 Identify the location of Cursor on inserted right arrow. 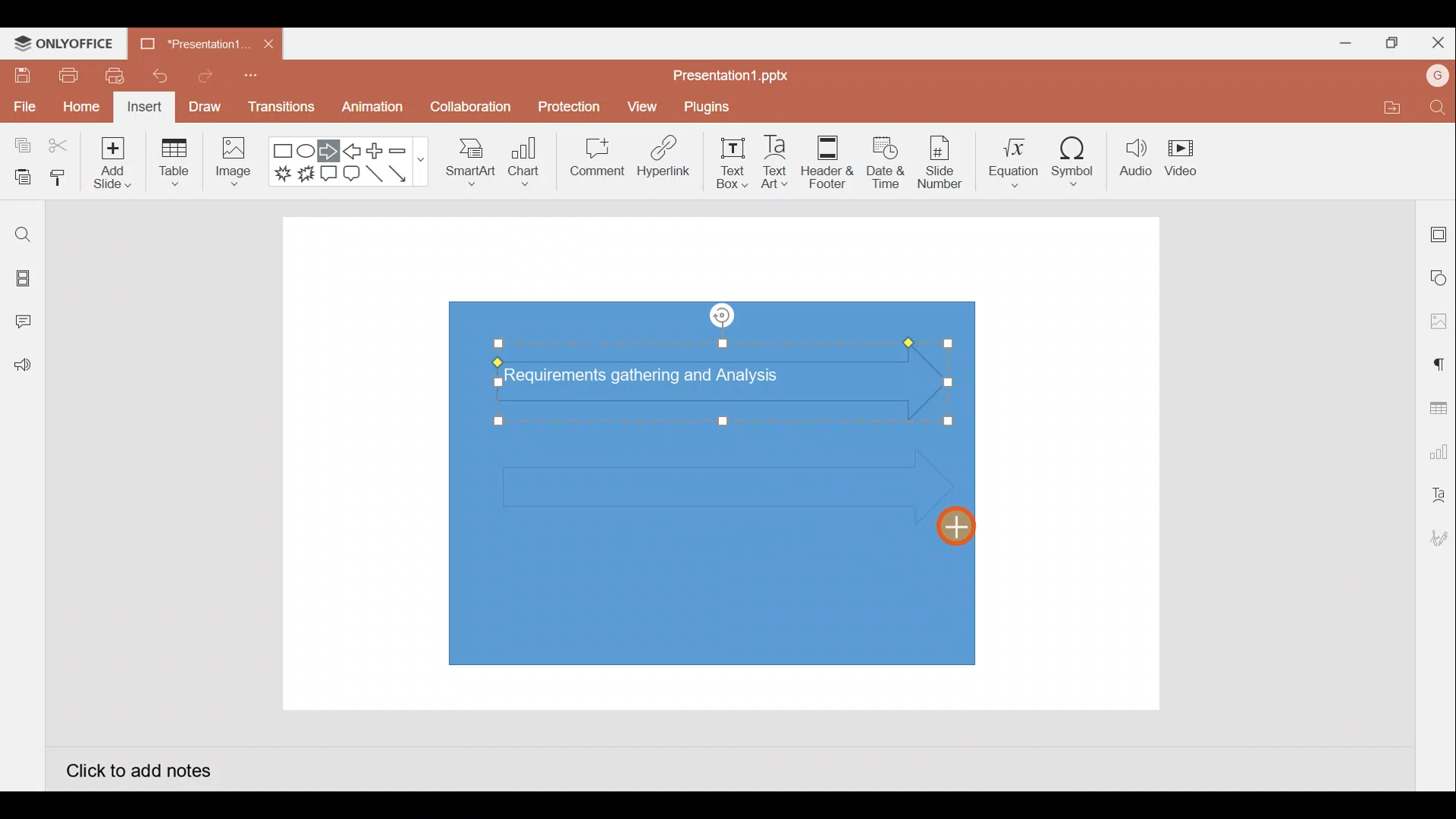
(955, 533).